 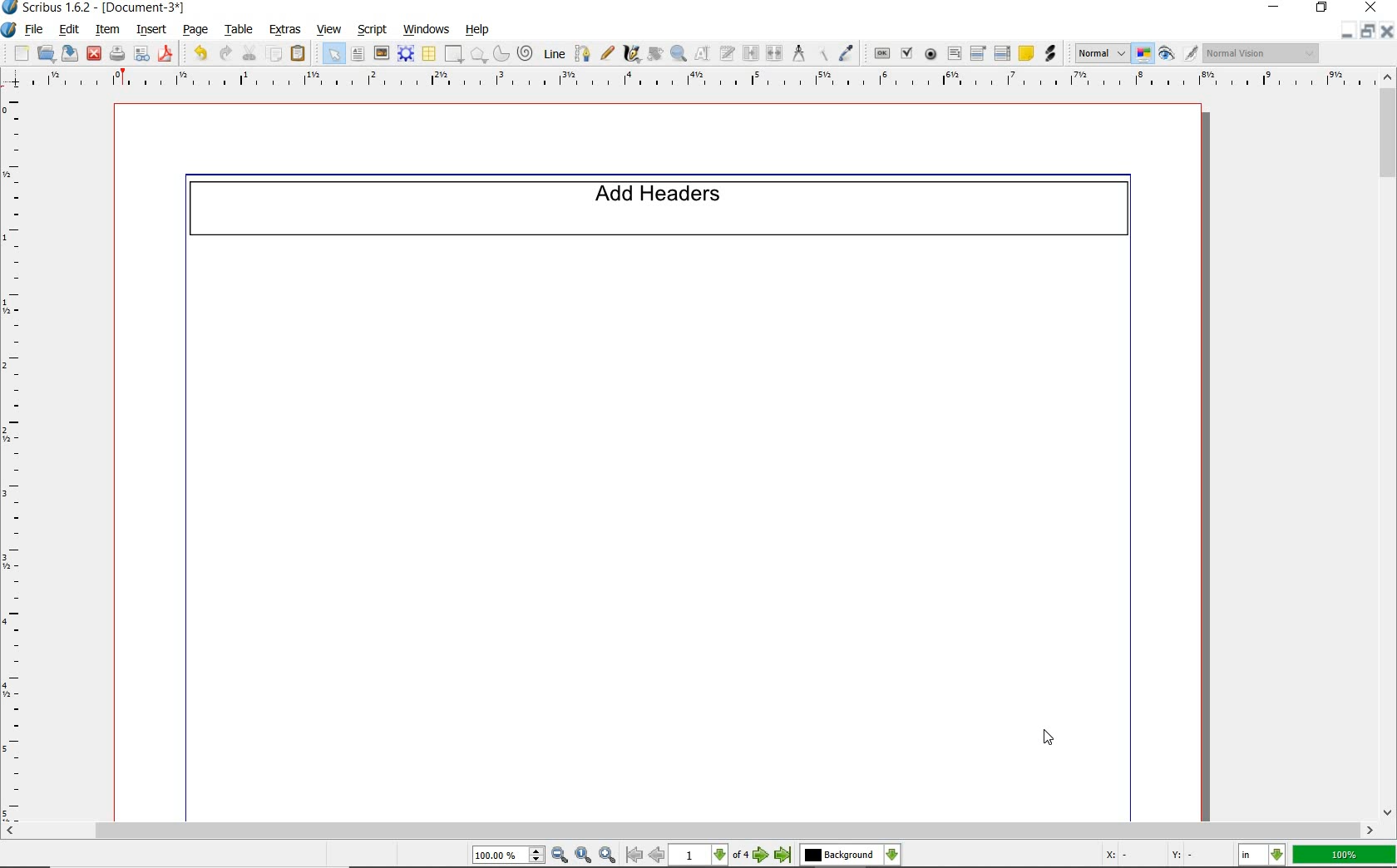 What do you see at coordinates (94, 8) in the screenshot?
I see `Scribus 1.6.2 - [Document-3*]` at bounding box center [94, 8].